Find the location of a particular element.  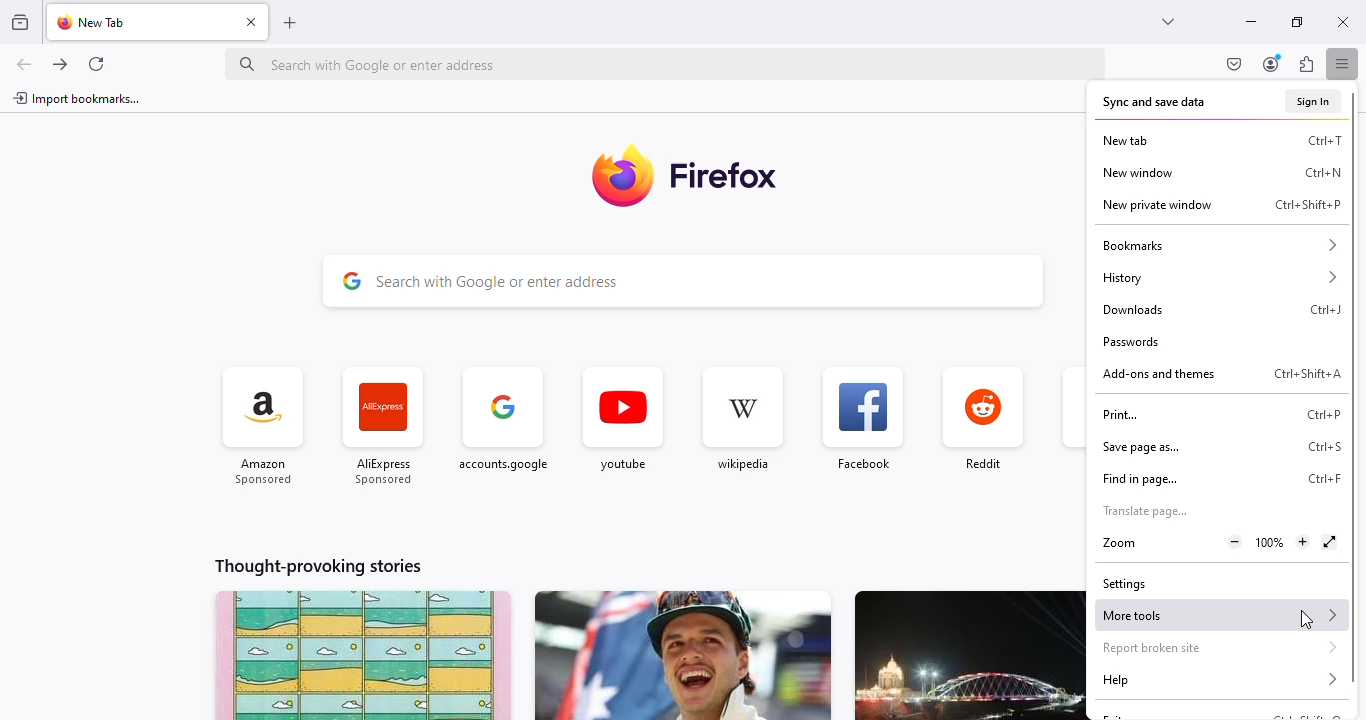

print is located at coordinates (1120, 415).